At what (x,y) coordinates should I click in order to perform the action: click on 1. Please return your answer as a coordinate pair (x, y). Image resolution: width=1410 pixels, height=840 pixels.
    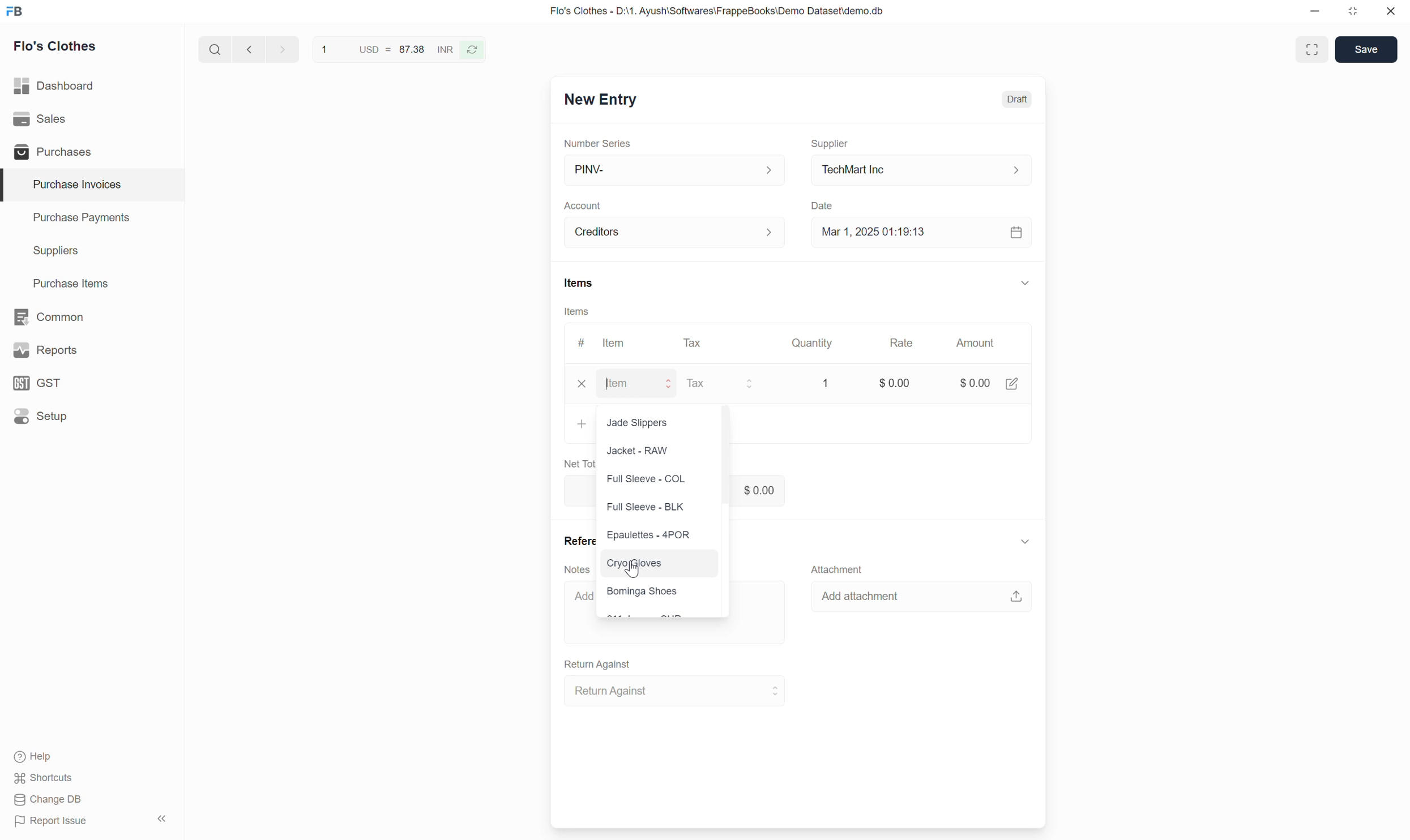
    Looking at the image, I should click on (822, 382).